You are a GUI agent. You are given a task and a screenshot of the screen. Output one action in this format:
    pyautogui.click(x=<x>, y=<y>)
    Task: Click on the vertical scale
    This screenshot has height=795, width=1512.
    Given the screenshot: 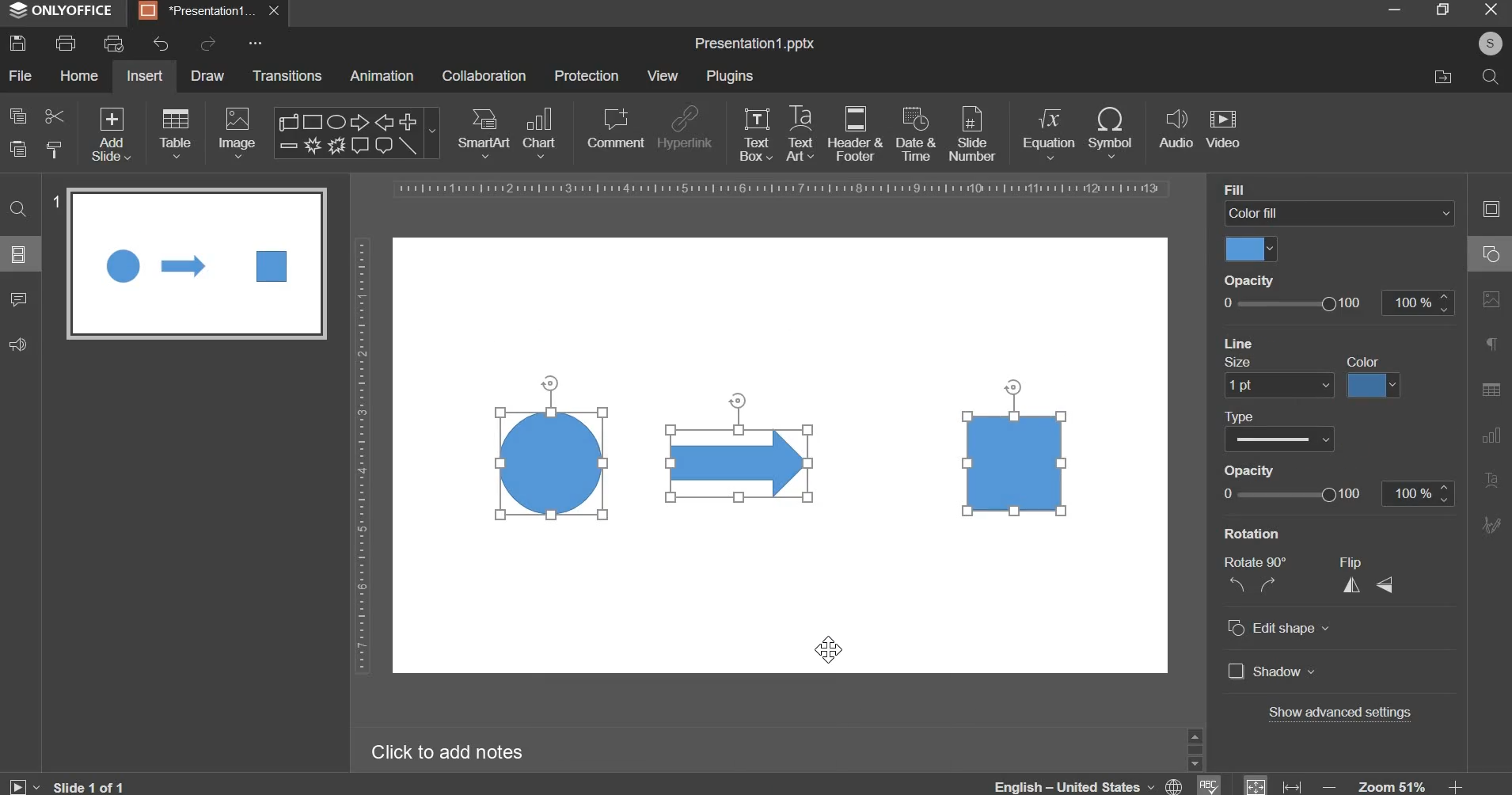 What is the action you would take?
    pyautogui.click(x=361, y=455)
    